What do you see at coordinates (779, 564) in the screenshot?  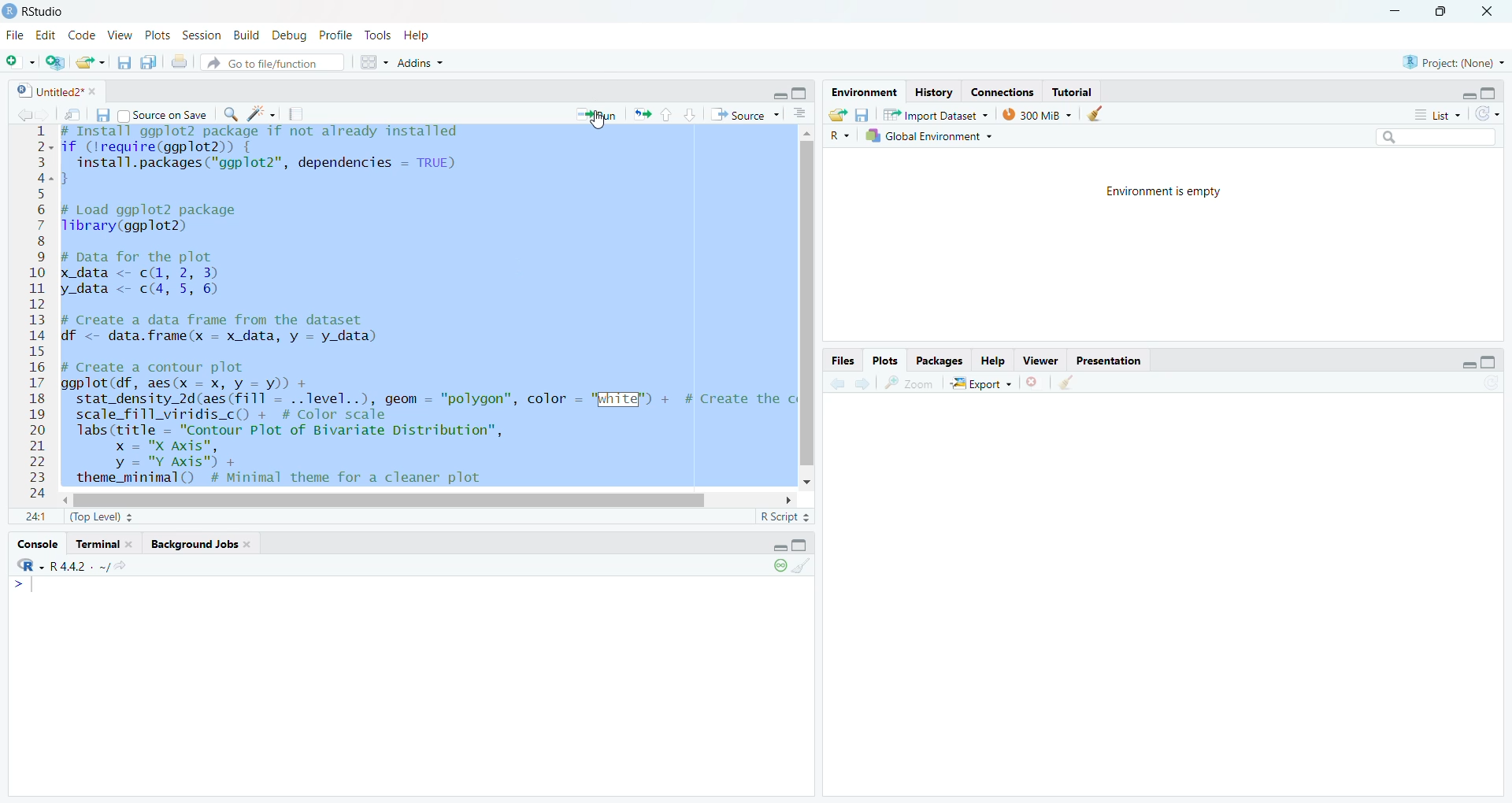 I see `paused console` at bounding box center [779, 564].